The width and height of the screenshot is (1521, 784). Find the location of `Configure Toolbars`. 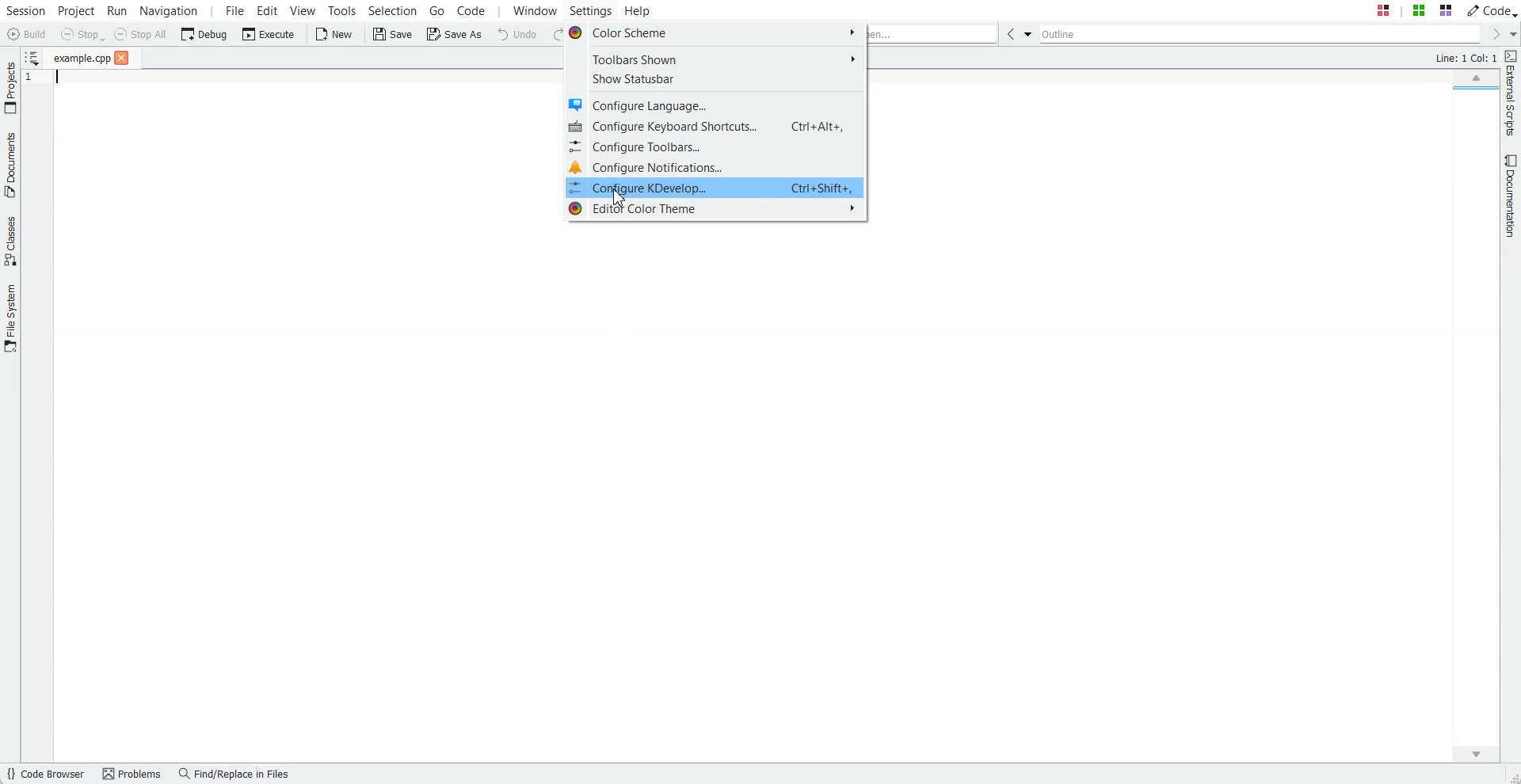

Configure Toolbars is located at coordinates (716, 147).